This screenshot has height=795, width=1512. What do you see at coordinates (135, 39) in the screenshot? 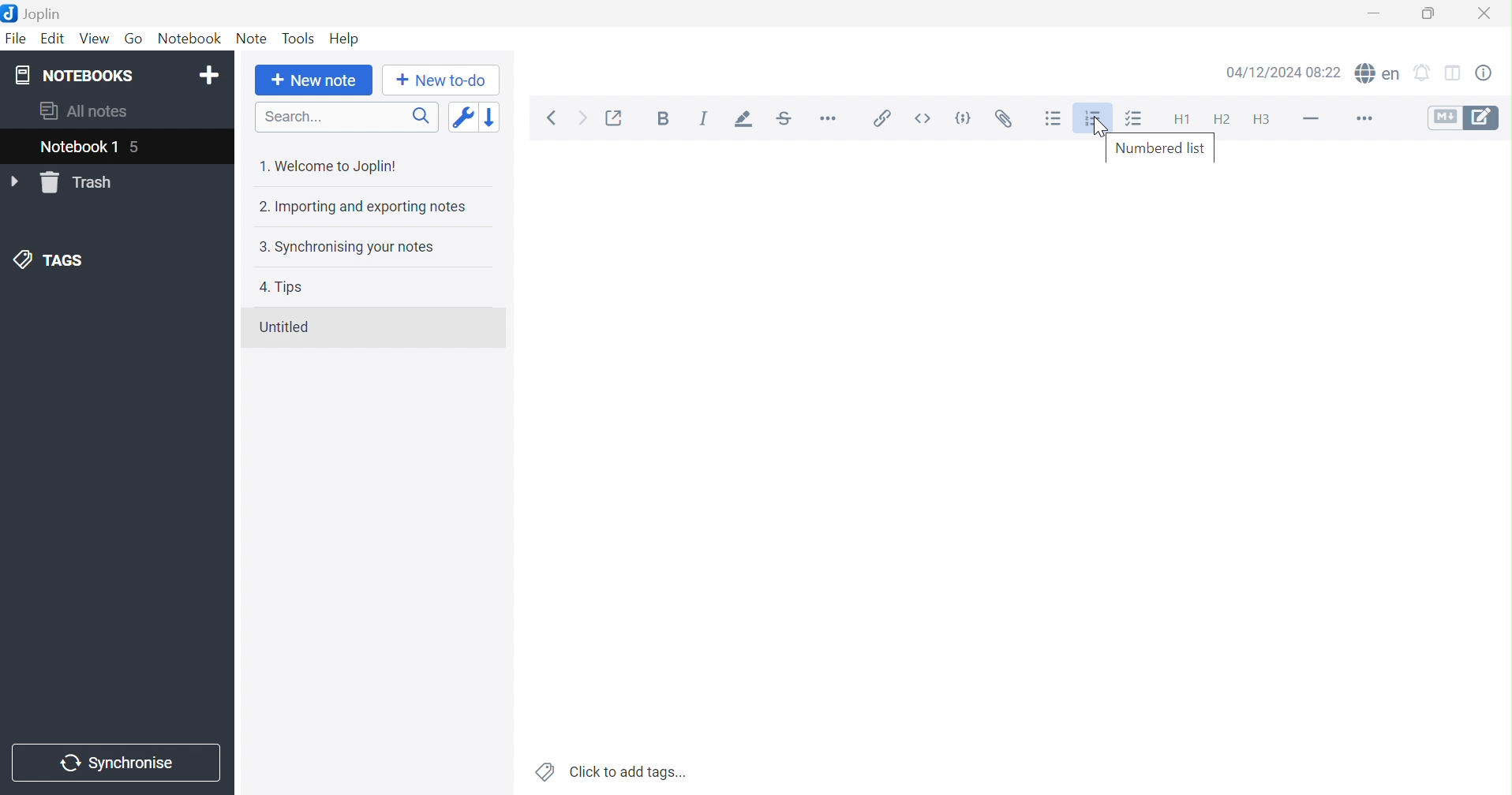
I see `Go` at bounding box center [135, 39].